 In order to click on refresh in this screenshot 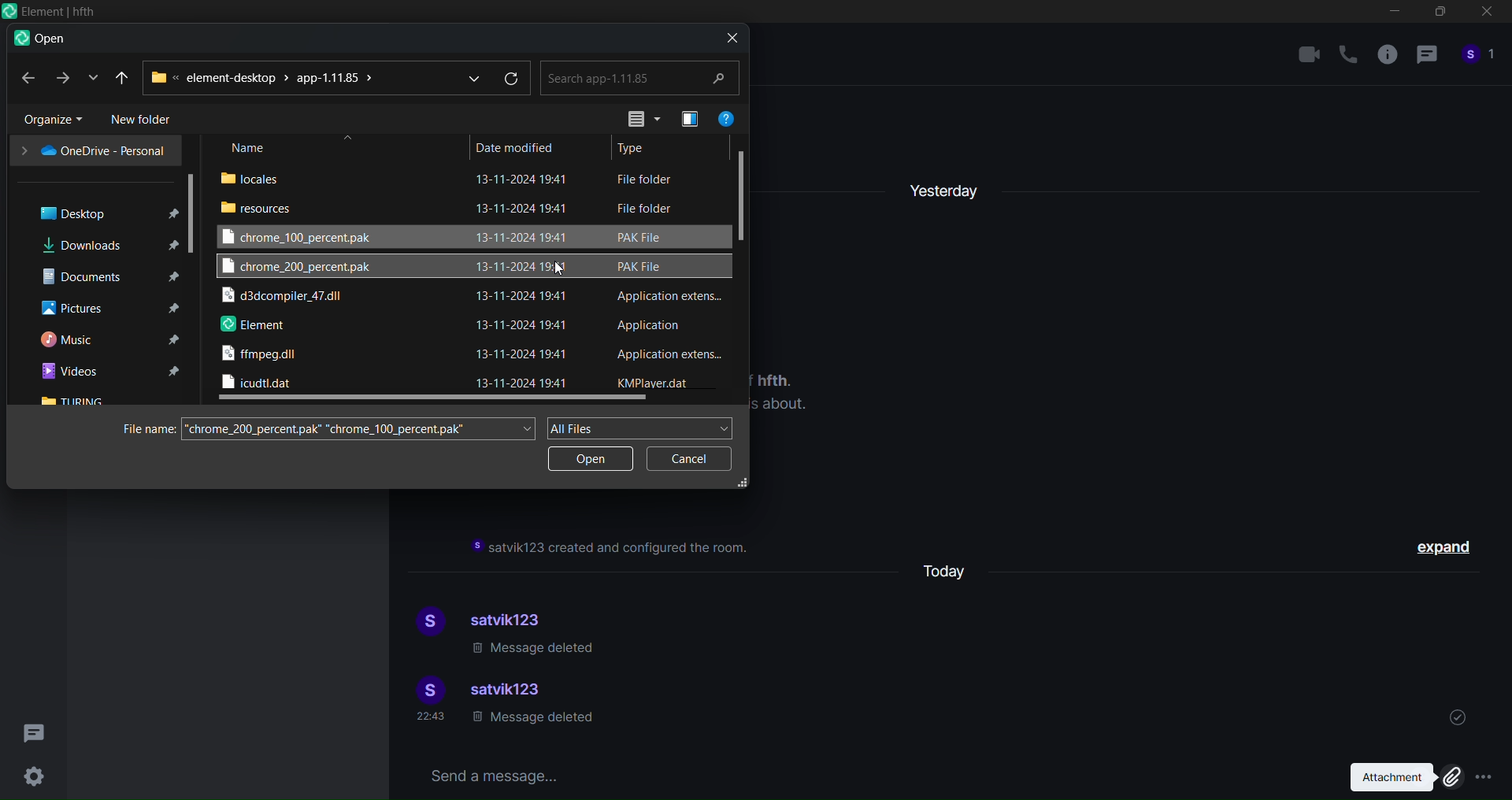, I will do `click(513, 79)`.